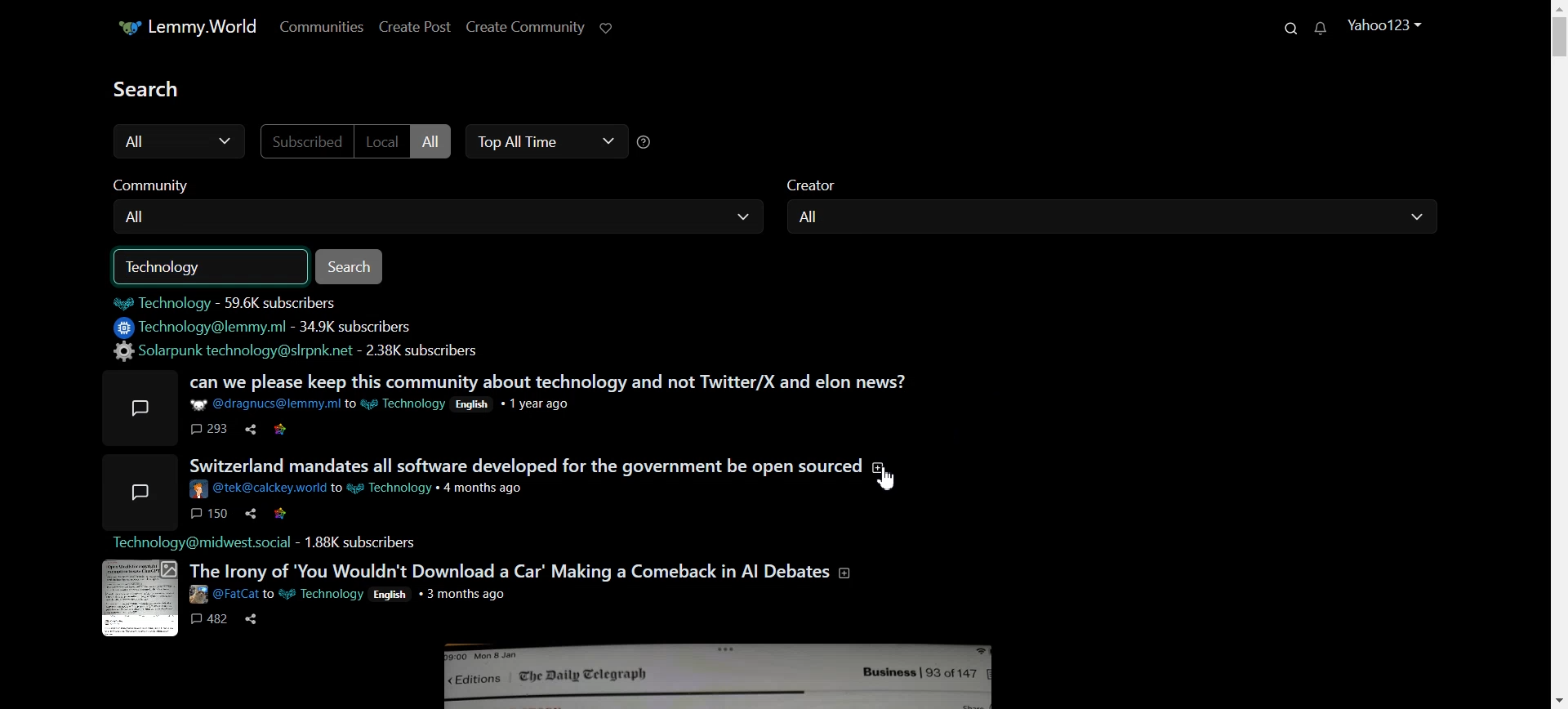  What do you see at coordinates (417, 28) in the screenshot?
I see `Create Post` at bounding box center [417, 28].